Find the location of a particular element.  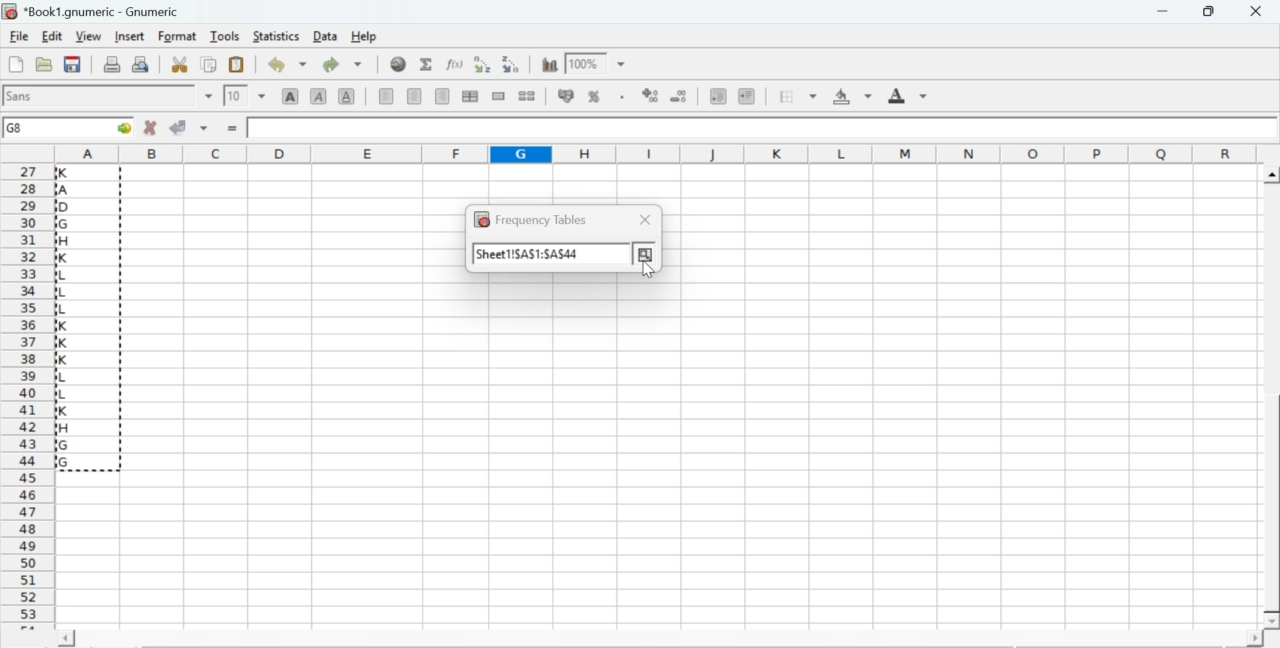

Sort the selected region in descending order based on the first column selected is located at coordinates (512, 62).